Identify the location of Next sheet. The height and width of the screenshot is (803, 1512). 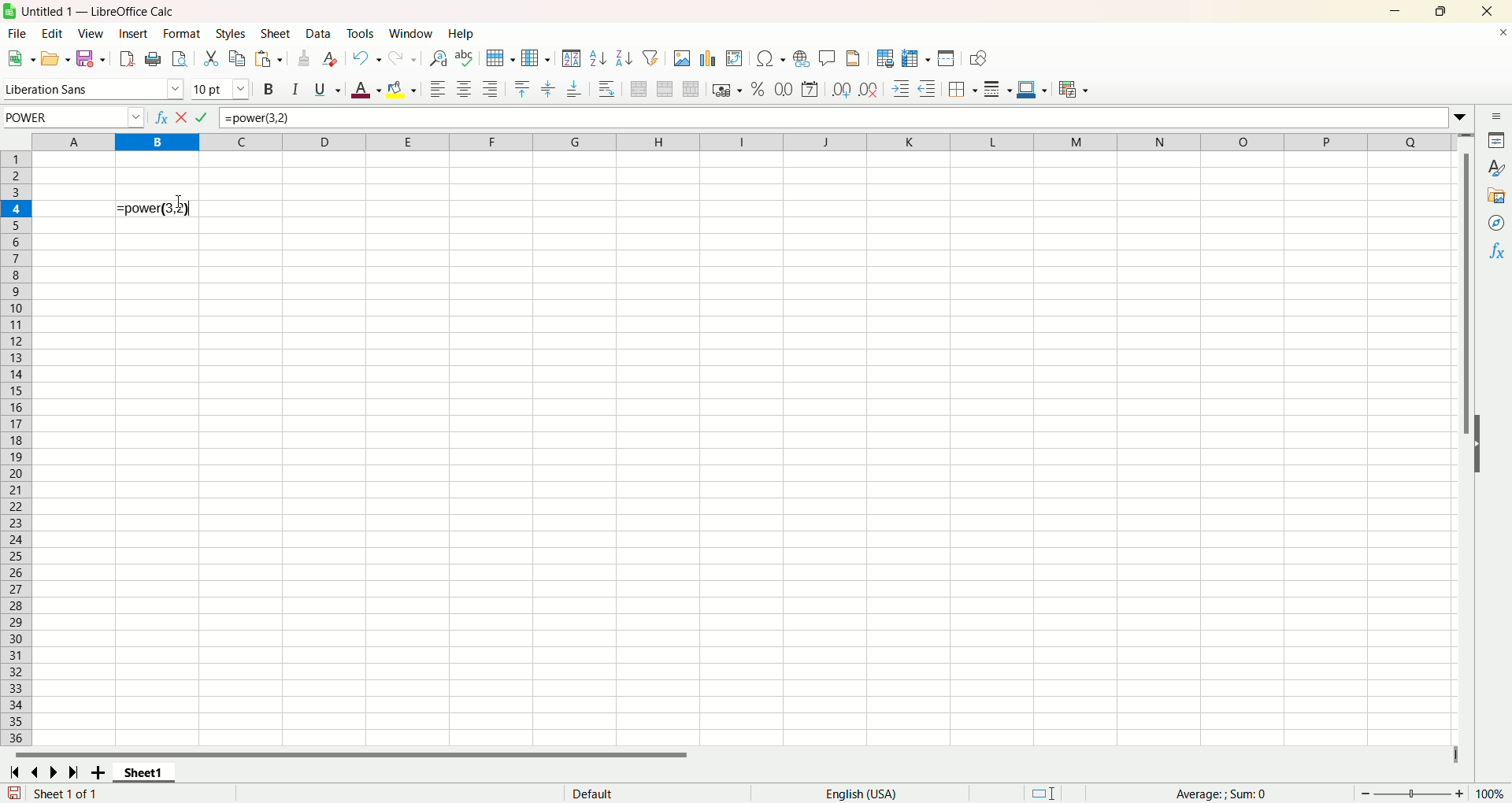
(57, 774).